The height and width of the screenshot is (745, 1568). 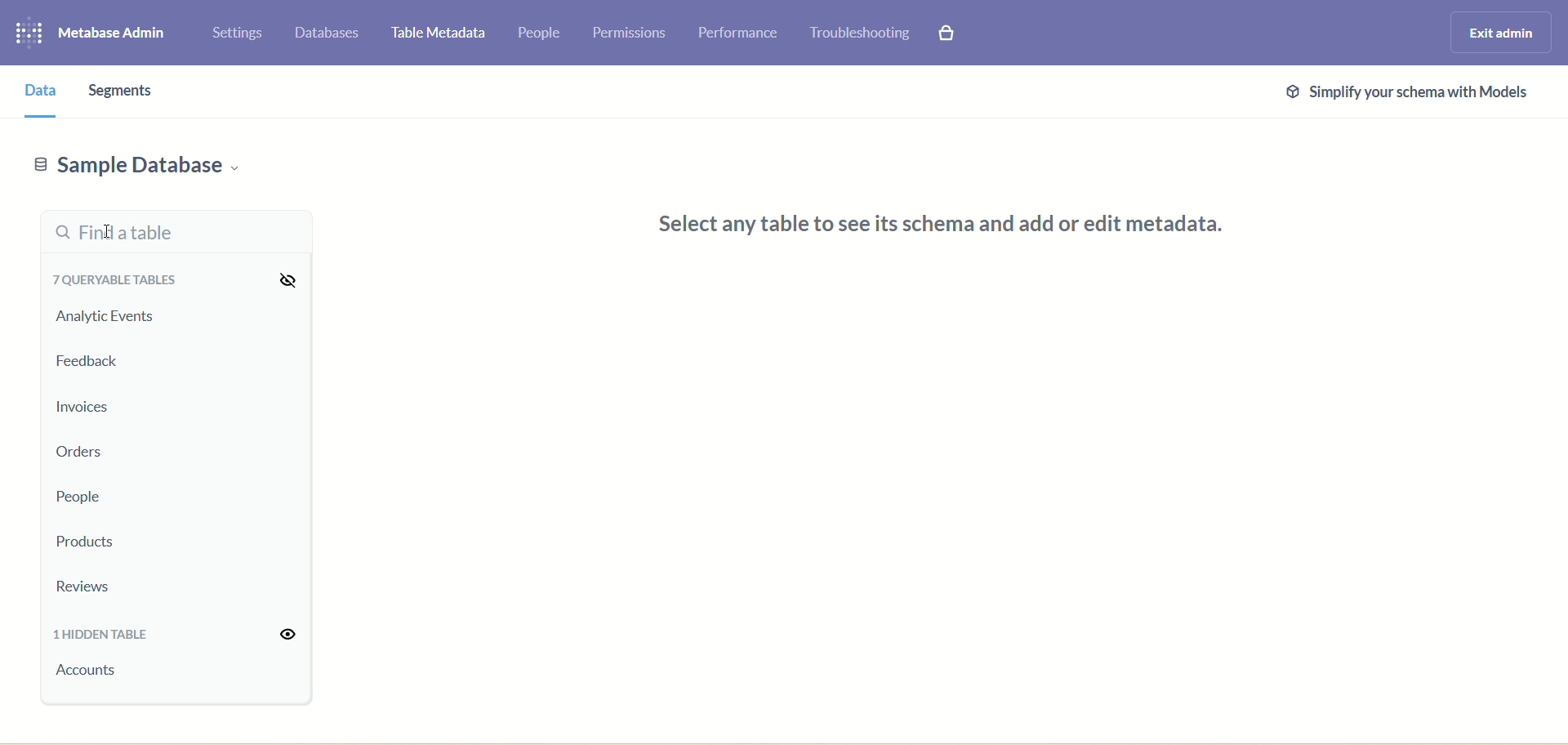 What do you see at coordinates (283, 280) in the screenshot?
I see `visibility` at bounding box center [283, 280].